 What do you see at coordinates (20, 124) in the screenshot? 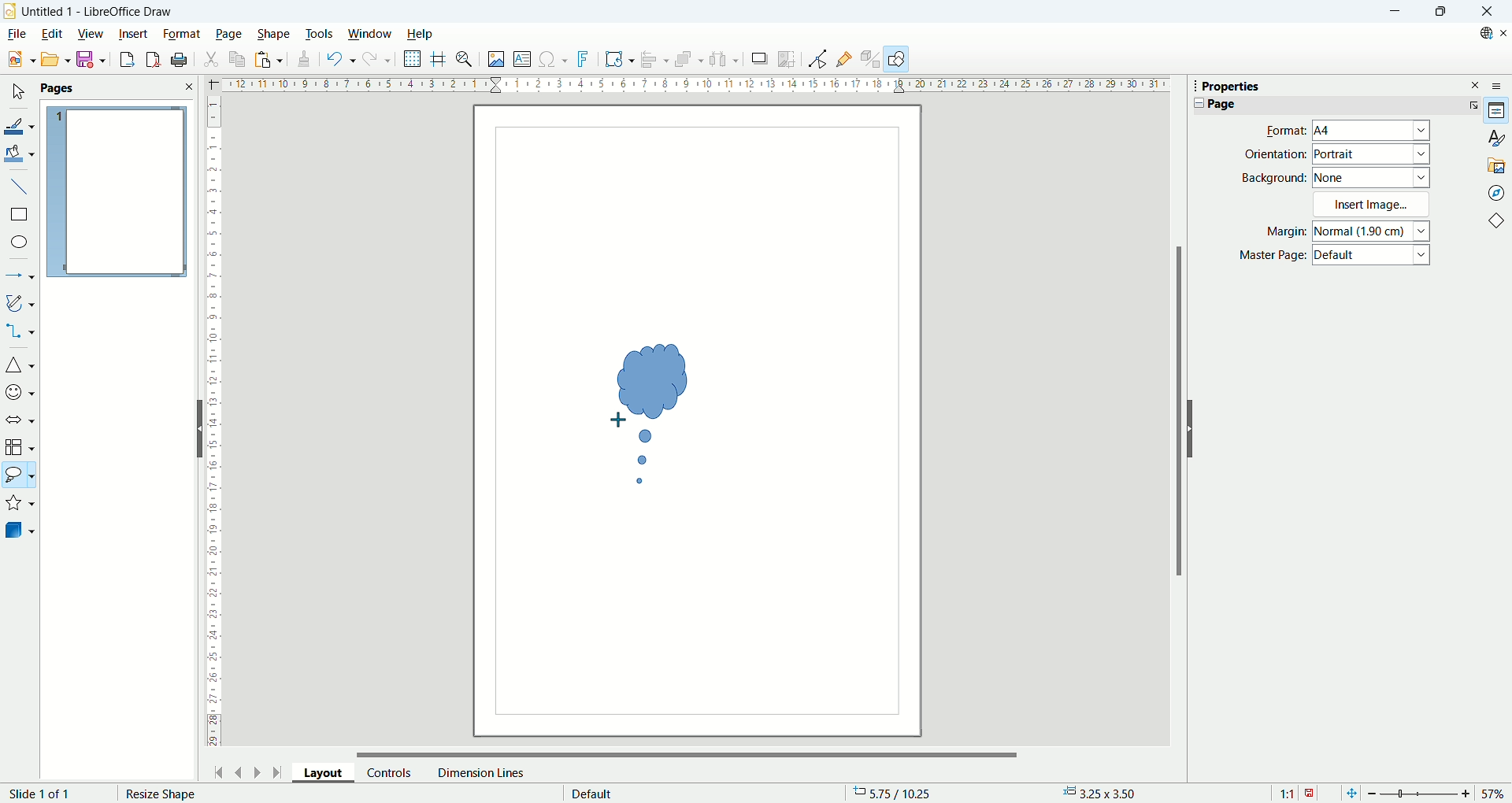
I see `line color` at bounding box center [20, 124].